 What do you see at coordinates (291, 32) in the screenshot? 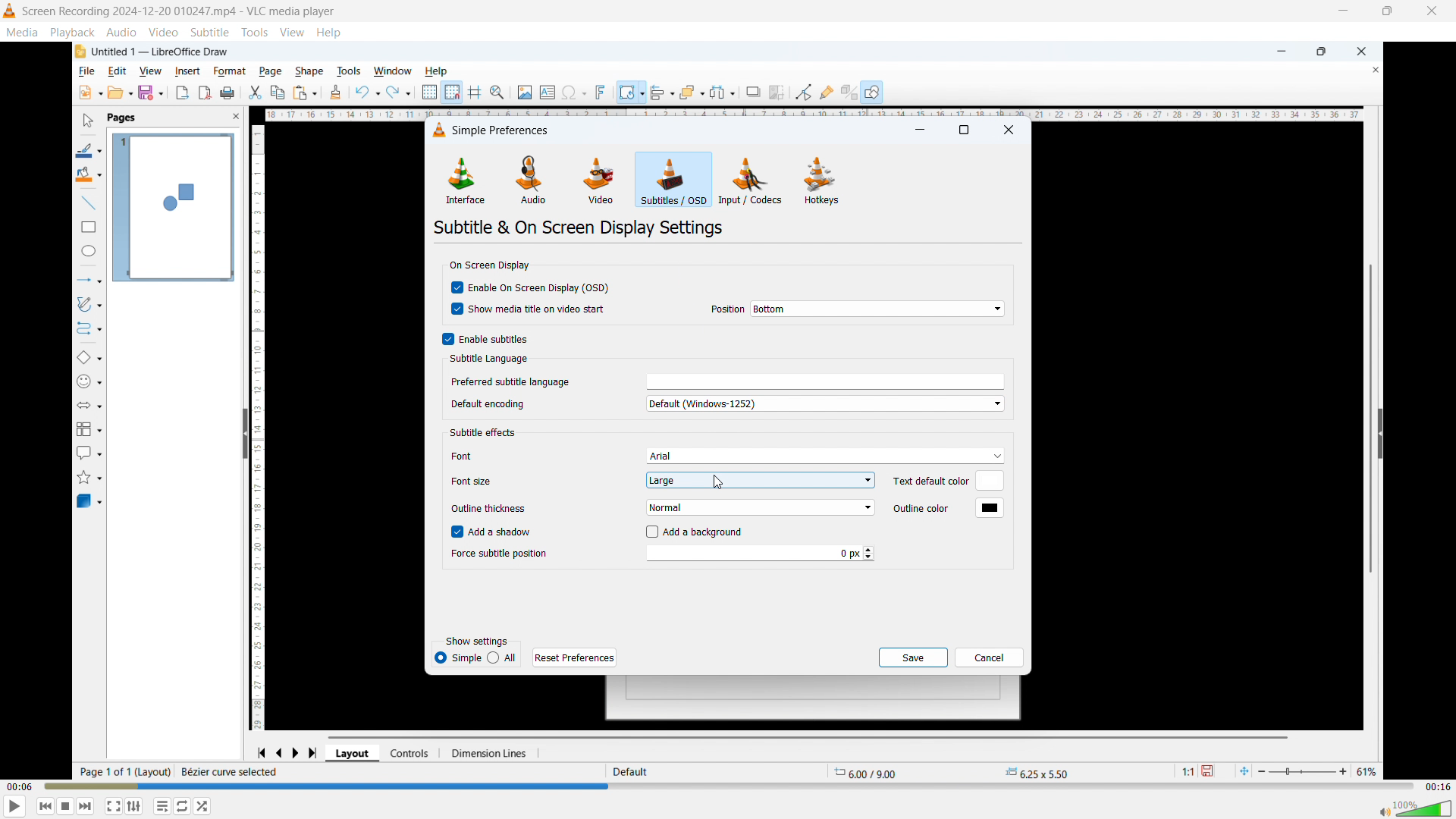
I see `view ` at bounding box center [291, 32].